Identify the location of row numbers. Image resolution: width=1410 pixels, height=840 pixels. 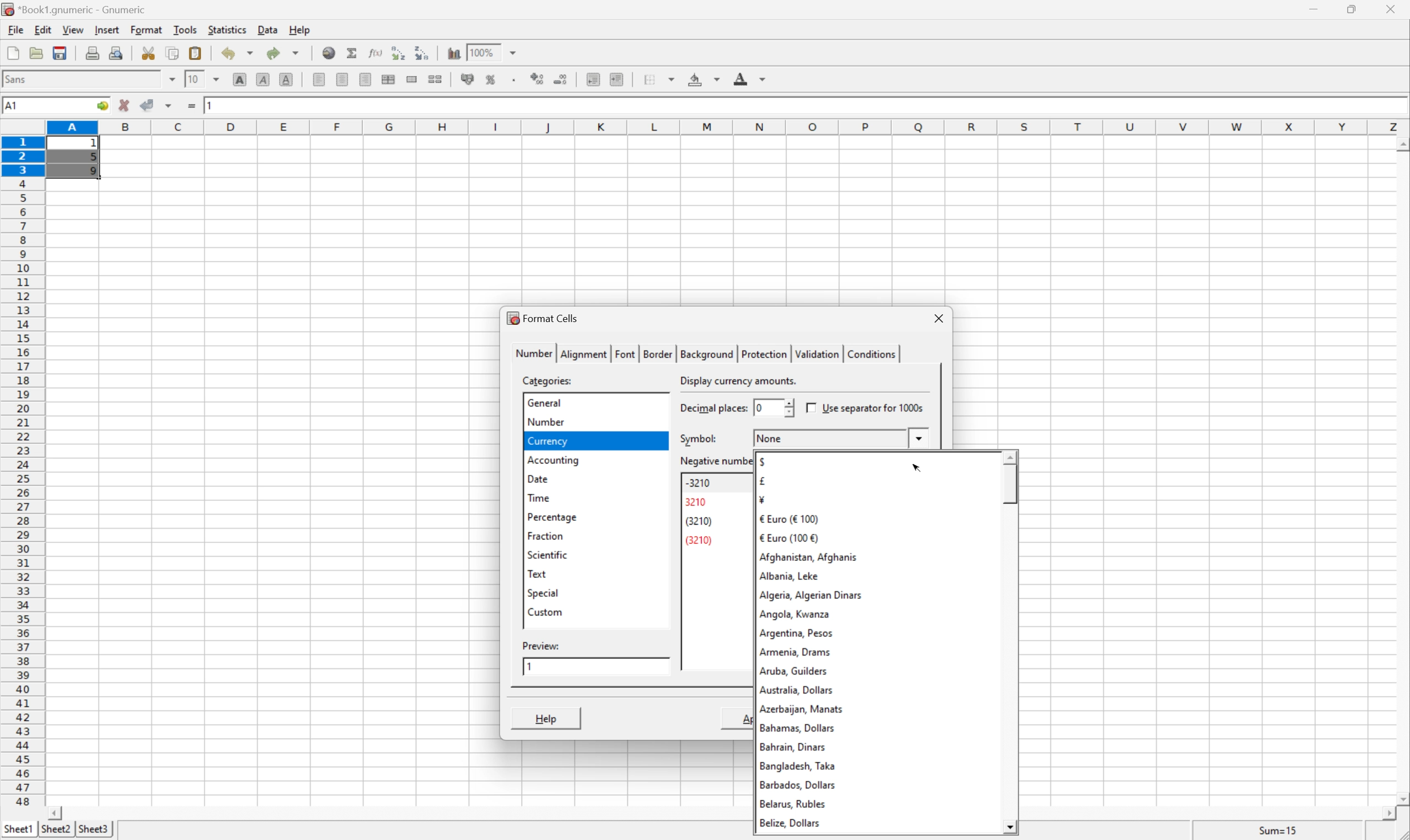
(22, 472).